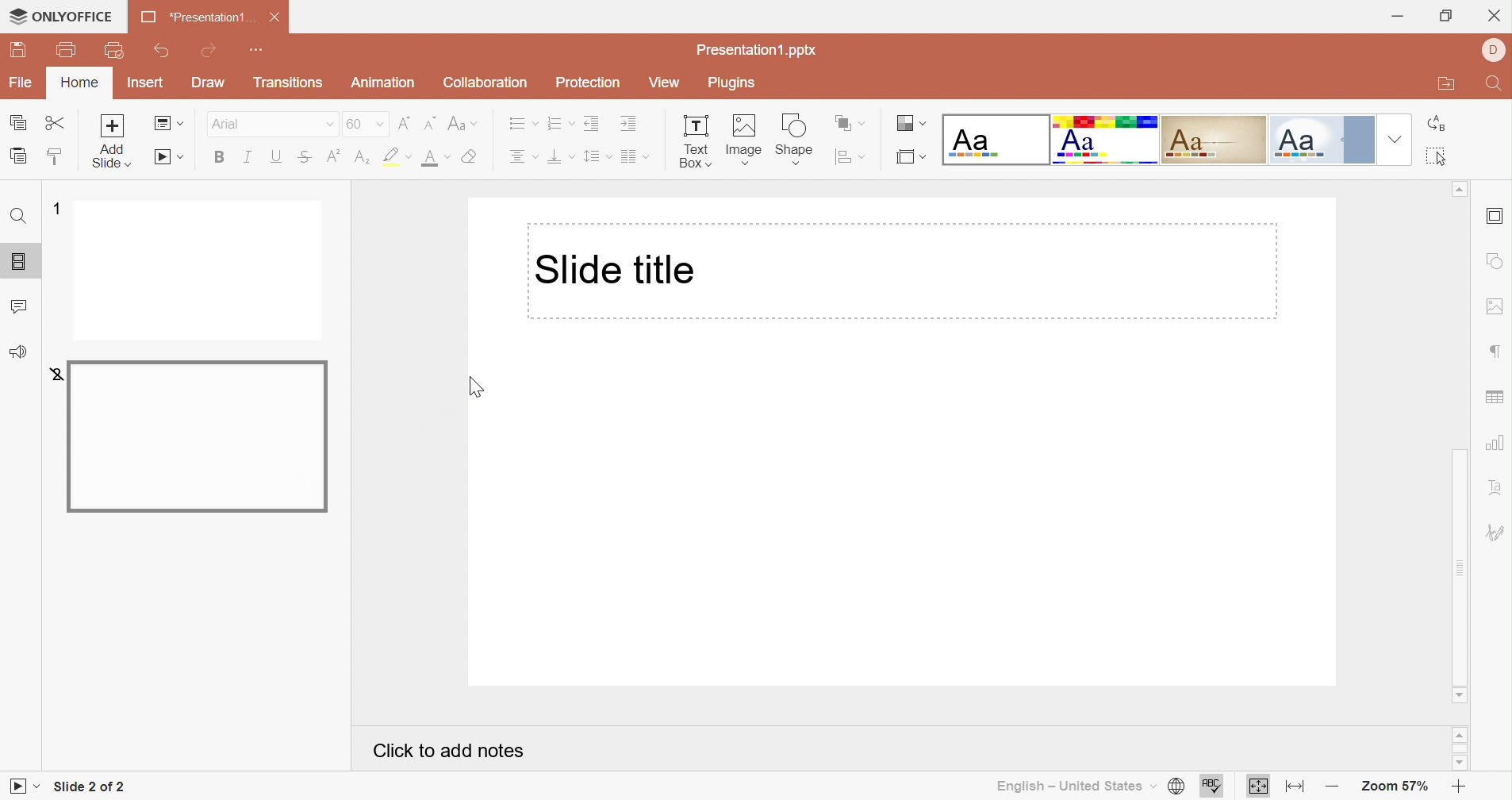 The image size is (1512, 800). What do you see at coordinates (1105, 140) in the screenshot?
I see `Basic` at bounding box center [1105, 140].